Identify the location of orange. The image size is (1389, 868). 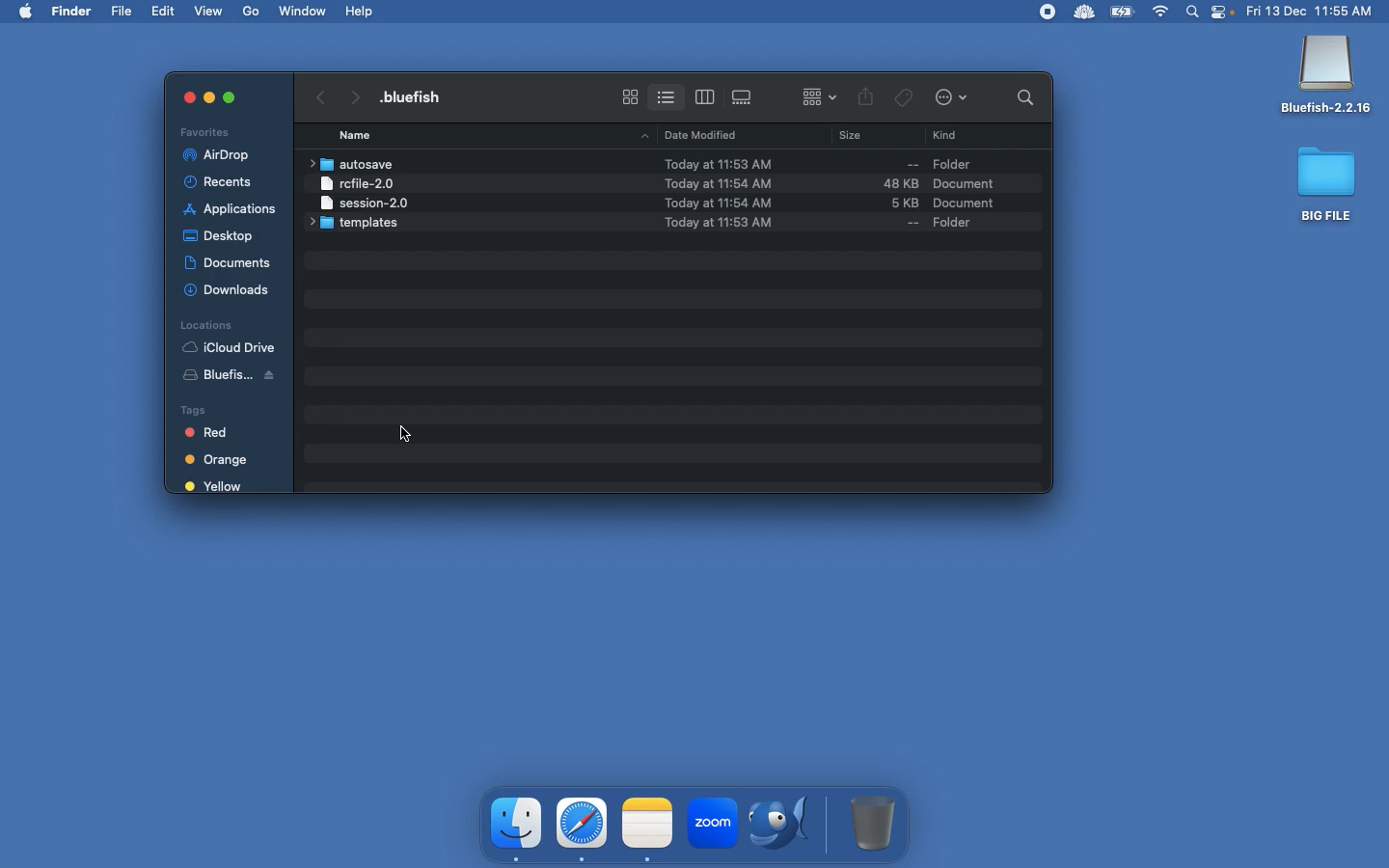
(220, 460).